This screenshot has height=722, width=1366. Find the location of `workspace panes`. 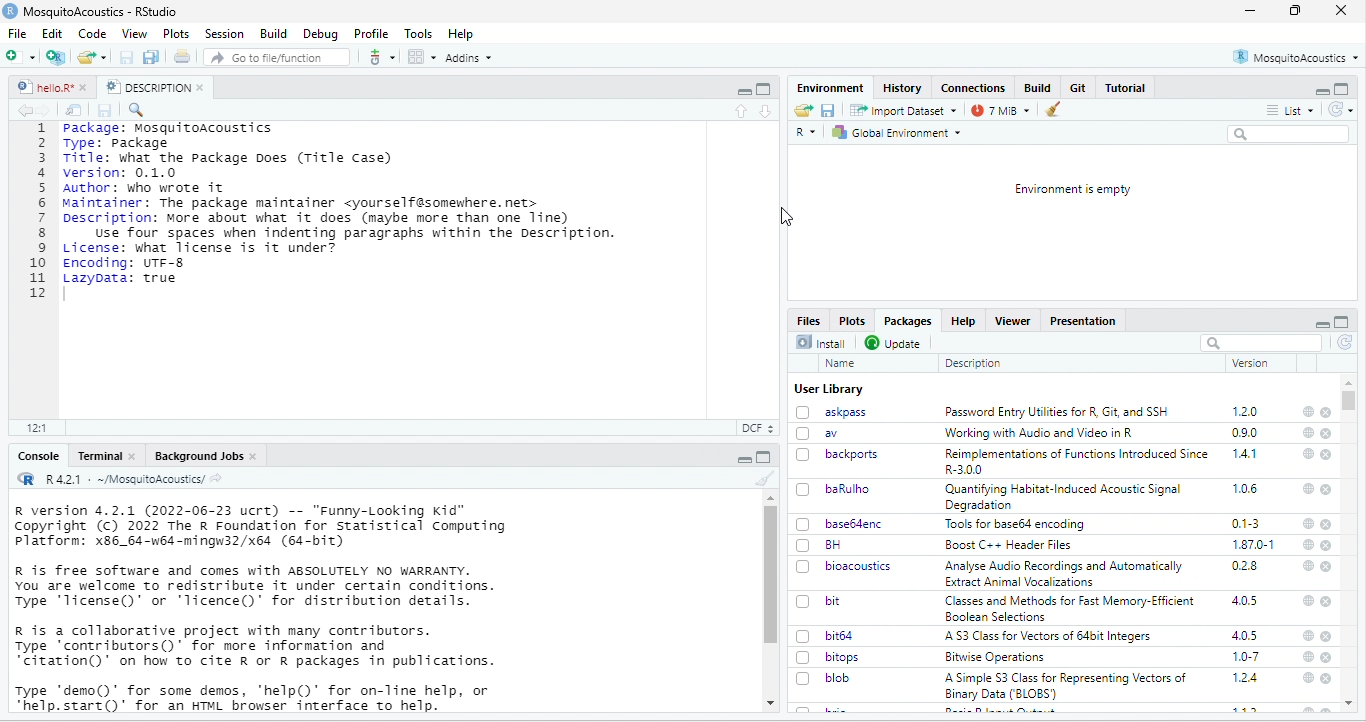

workspace panes is located at coordinates (421, 57).